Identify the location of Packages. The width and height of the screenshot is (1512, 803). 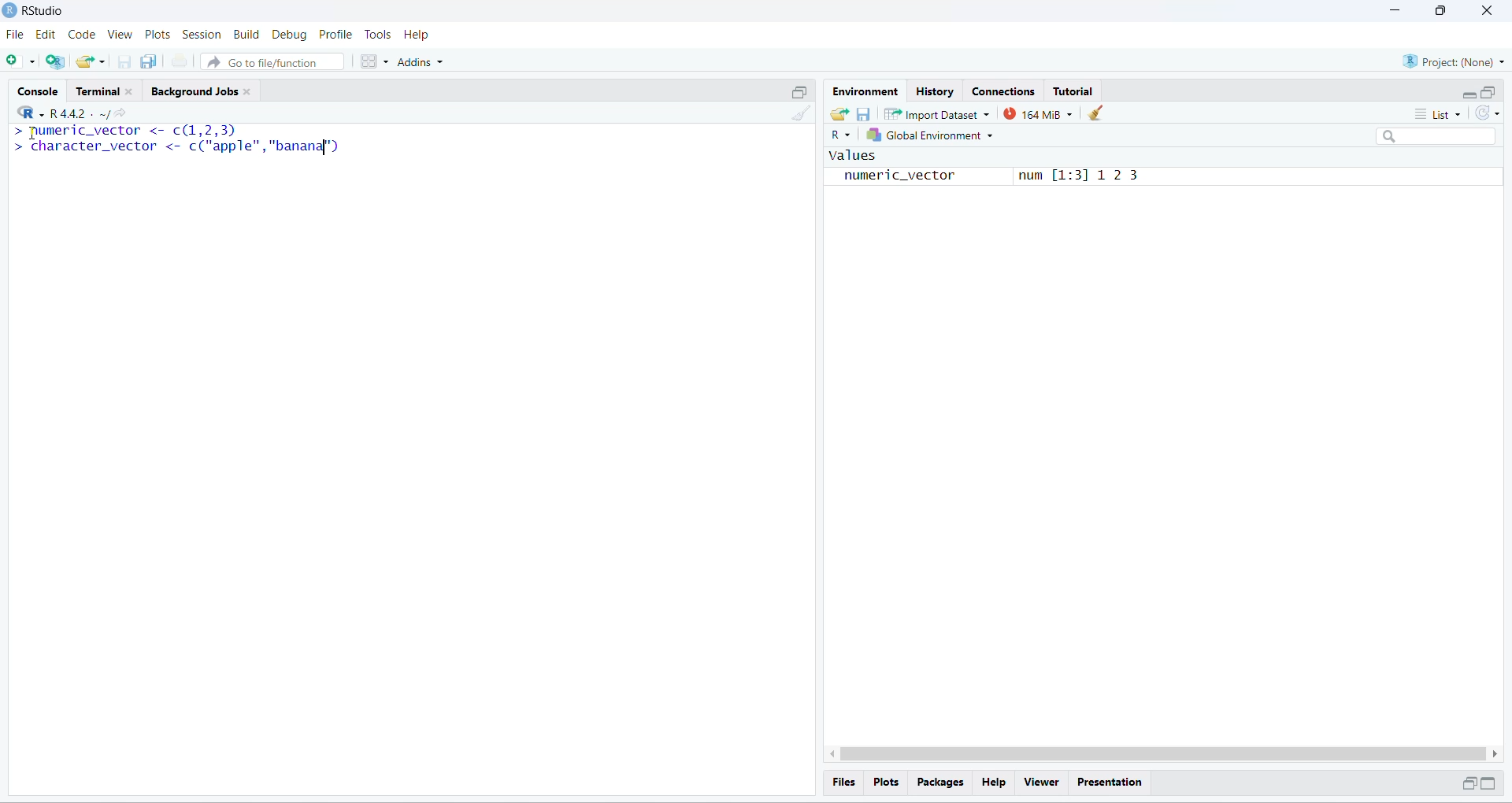
(940, 783).